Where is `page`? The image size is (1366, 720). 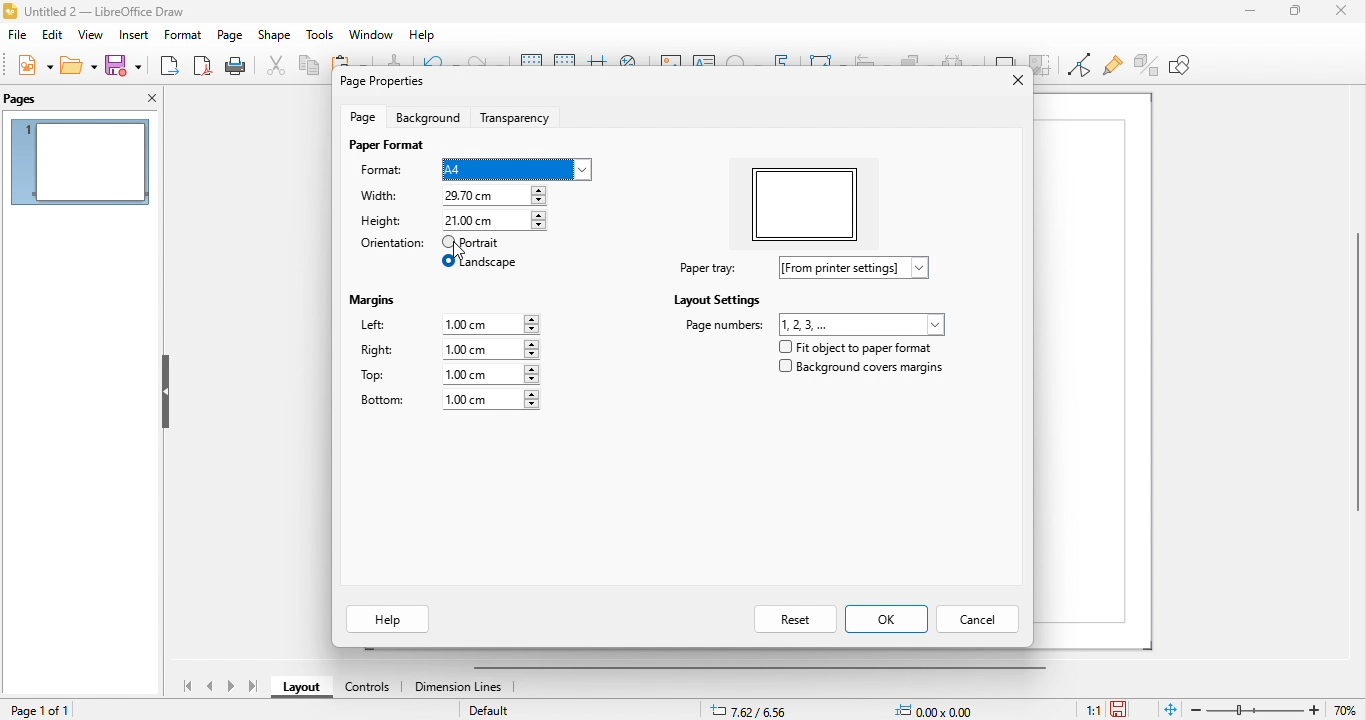
page is located at coordinates (362, 120).